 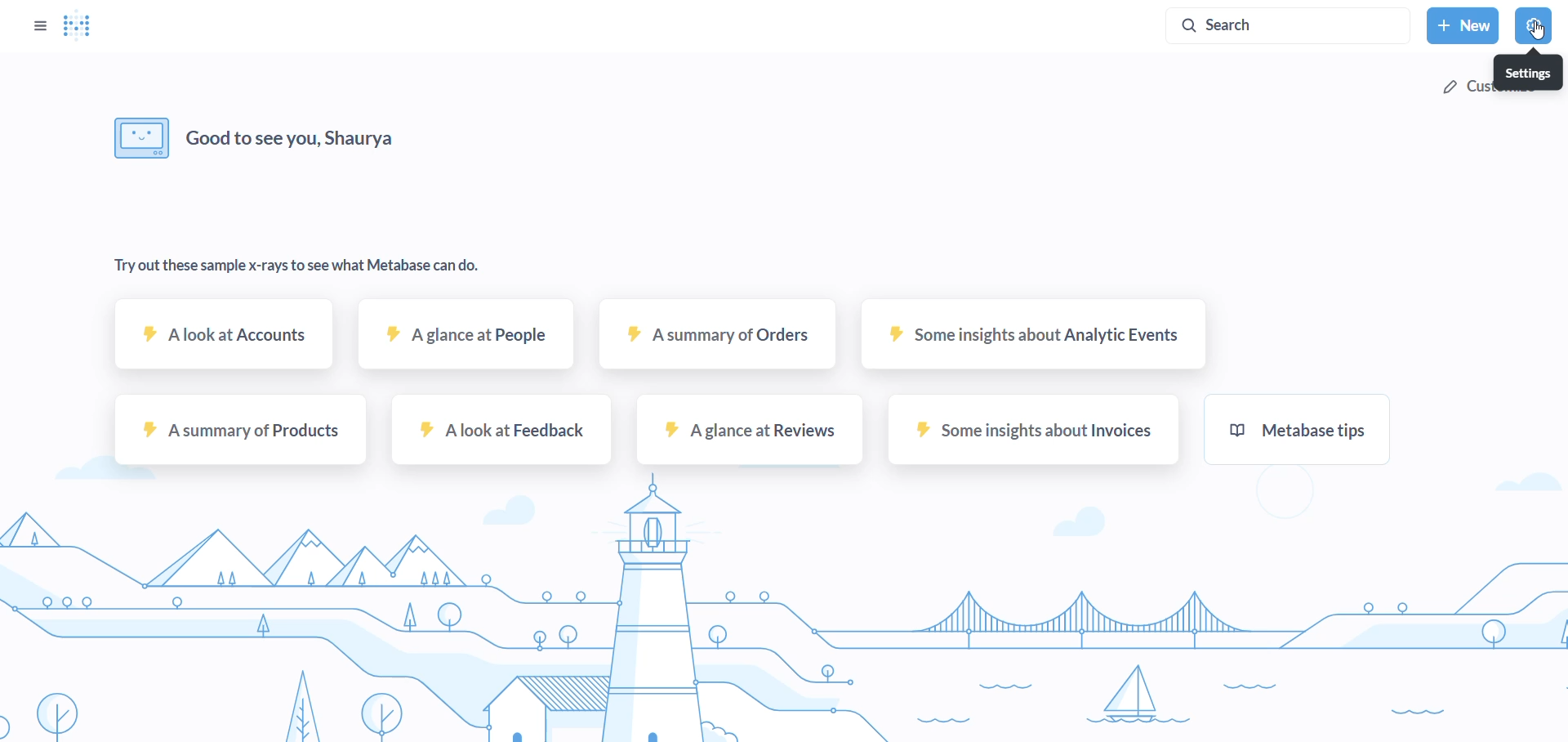 I want to click on some insights about analytic events sample, so click(x=1027, y=342).